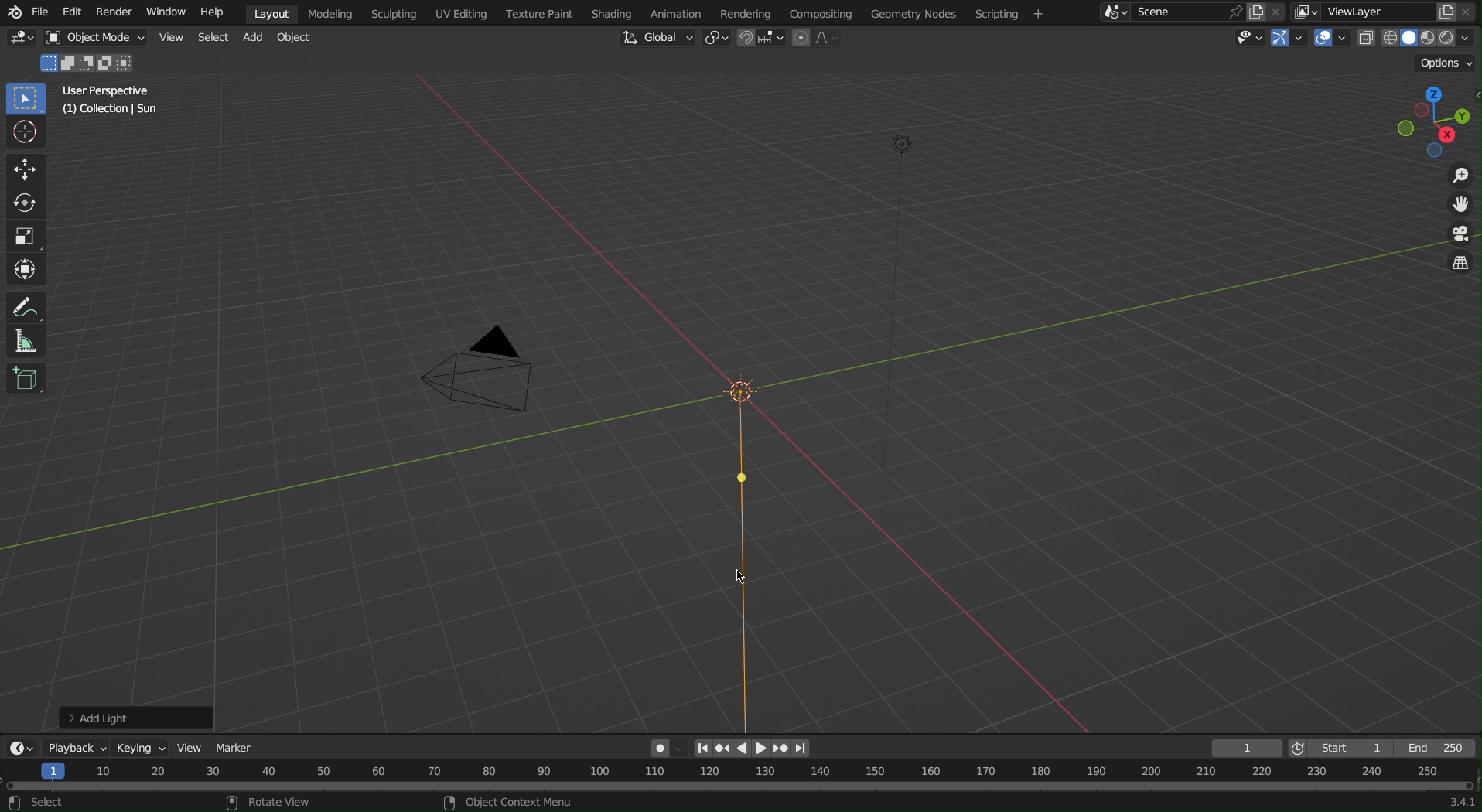 The width and height of the screenshot is (1482, 812). What do you see at coordinates (164, 13) in the screenshot?
I see `Window` at bounding box center [164, 13].